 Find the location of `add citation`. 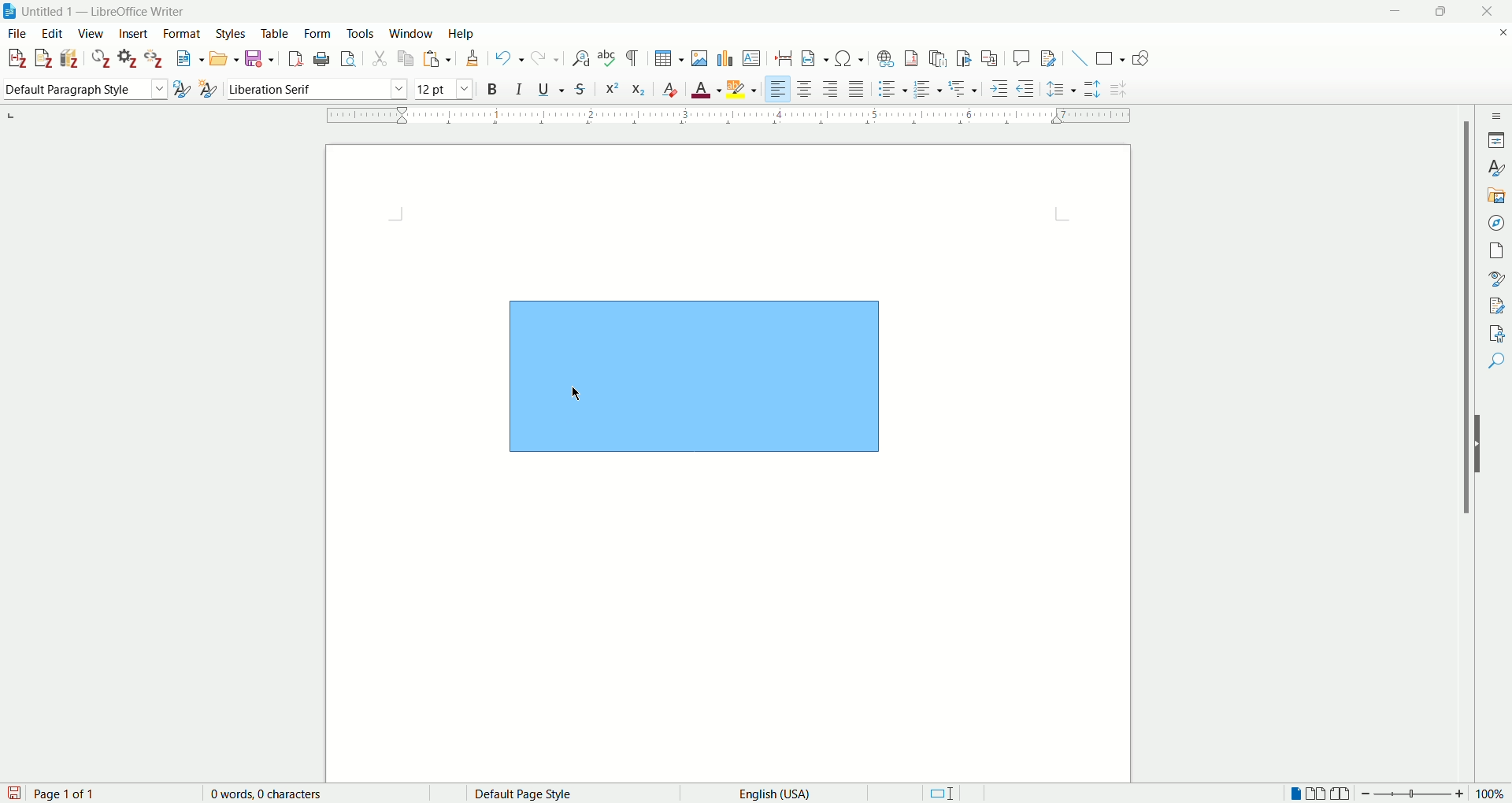

add citation is located at coordinates (15, 59).